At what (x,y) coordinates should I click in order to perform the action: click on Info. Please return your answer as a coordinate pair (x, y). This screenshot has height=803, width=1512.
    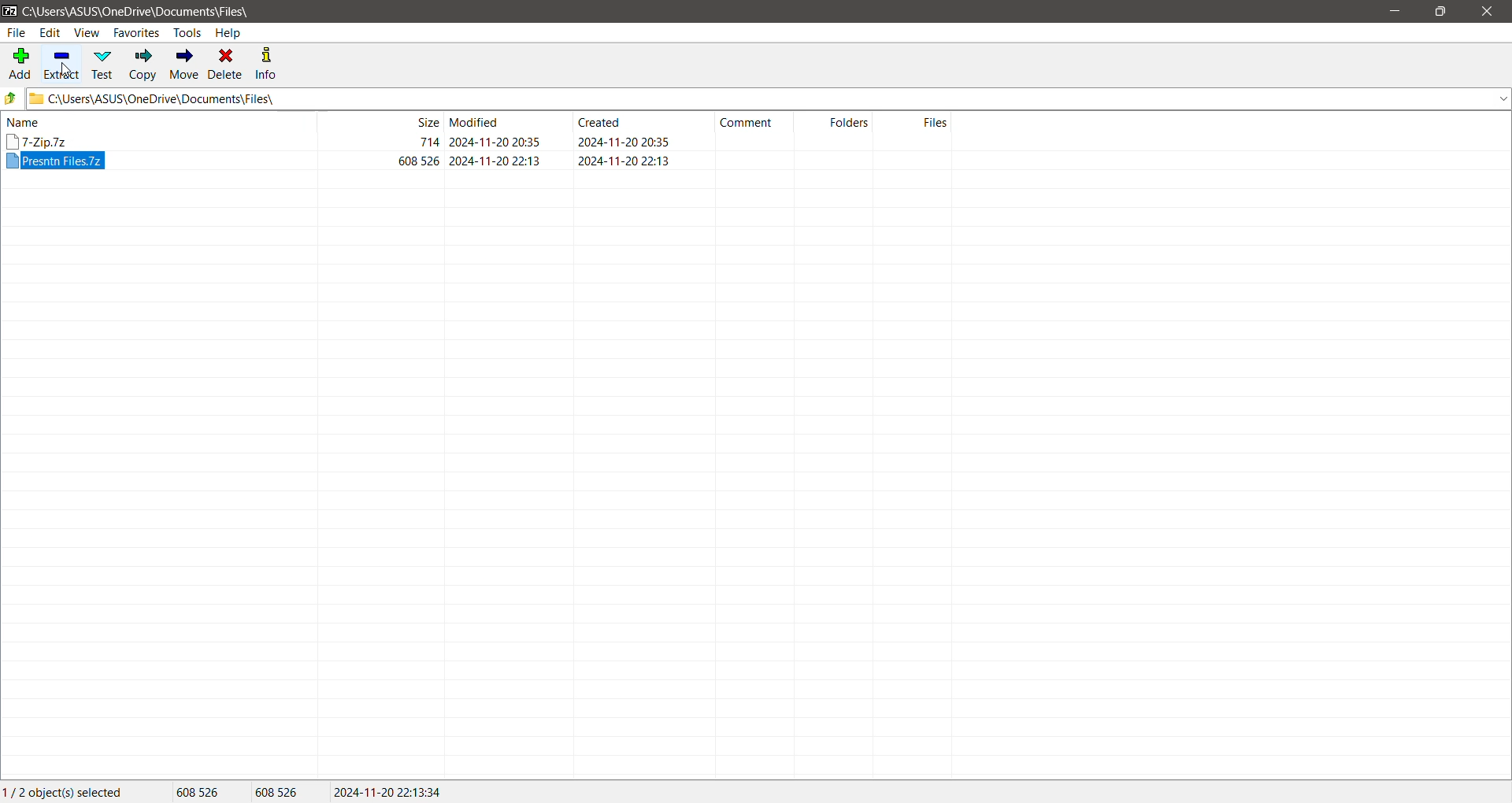
    Looking at the image, I should click on (268, 64).